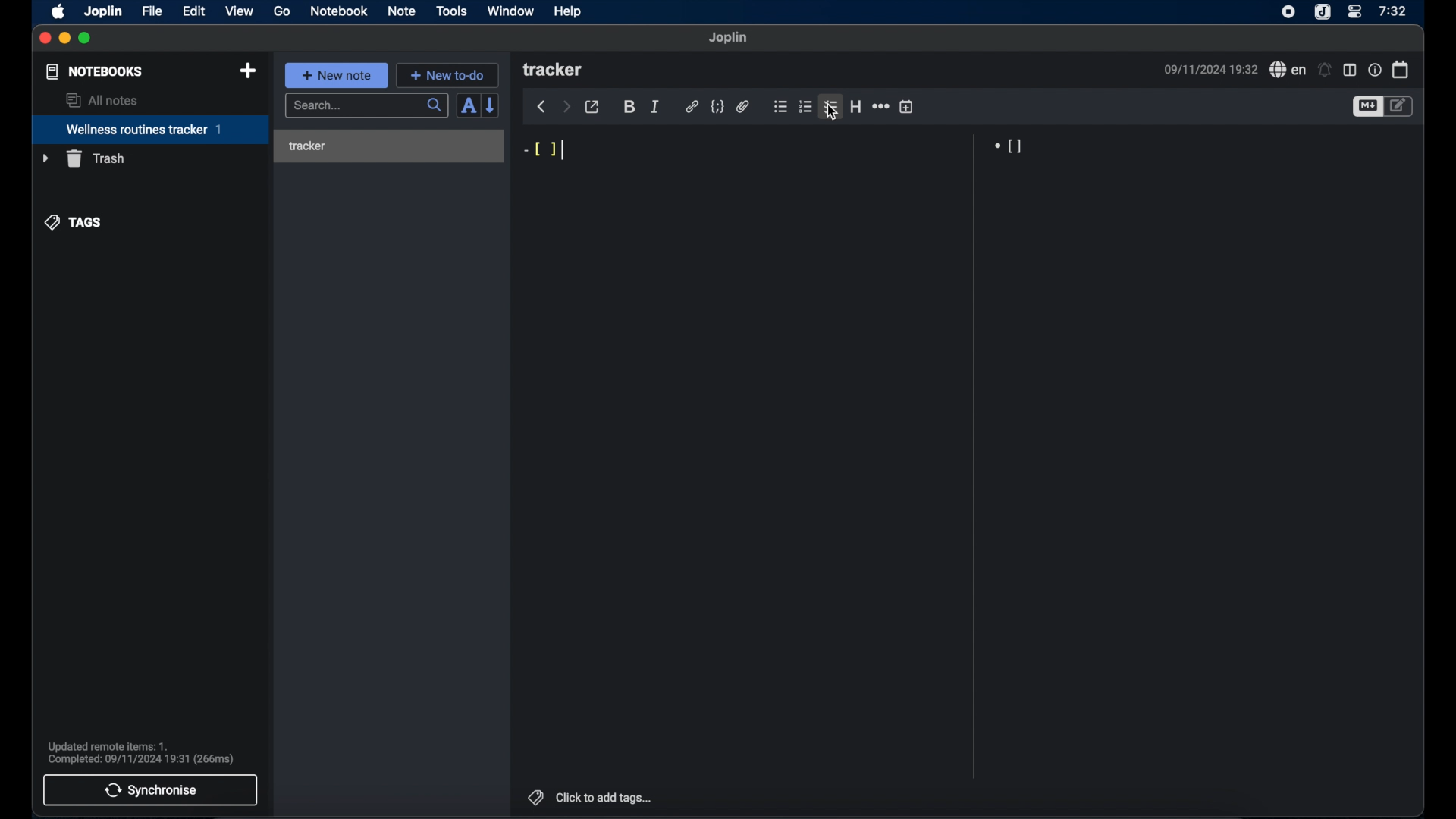 This screenshot has height=819, width=1456. I want to click on window, so click(511, 11).